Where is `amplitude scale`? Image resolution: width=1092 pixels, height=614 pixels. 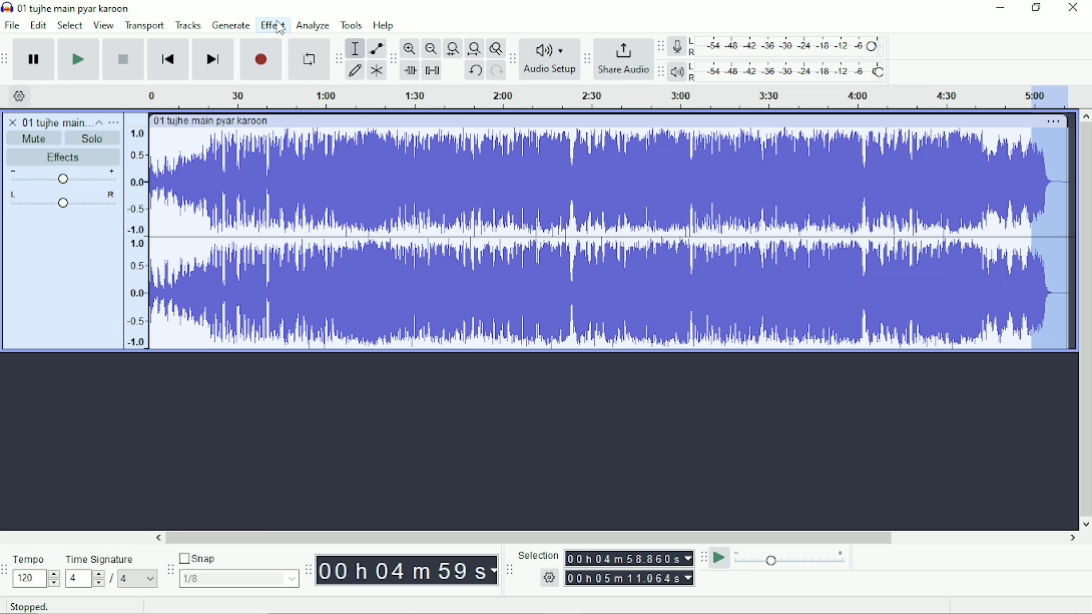
amplitude scale is located at coordinates (136, 239).